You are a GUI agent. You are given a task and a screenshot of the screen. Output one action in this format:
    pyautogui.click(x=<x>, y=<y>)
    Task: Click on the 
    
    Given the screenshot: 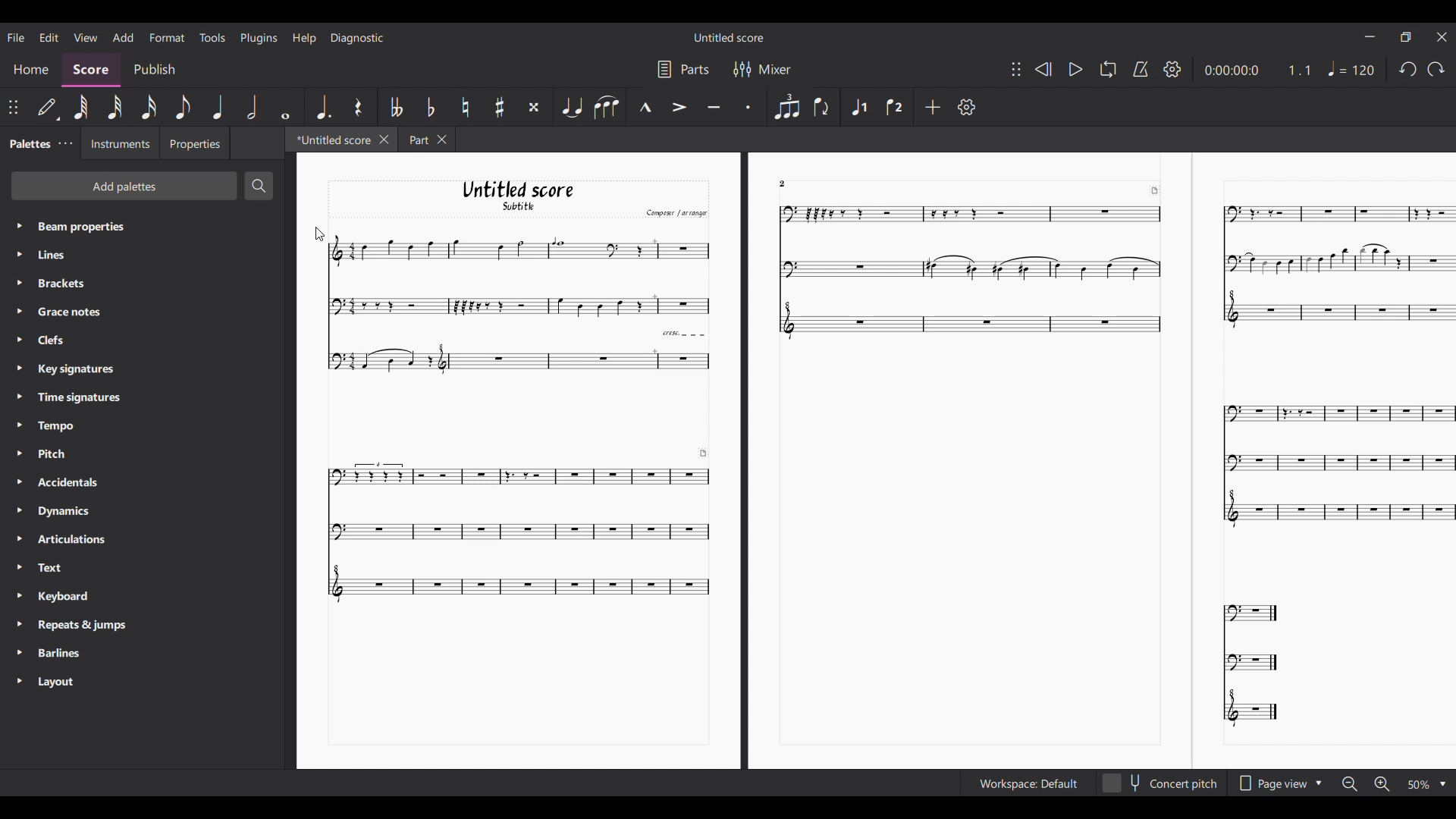 What is the action you would take?
    pyautogui.click(x=1250, y=661)
    